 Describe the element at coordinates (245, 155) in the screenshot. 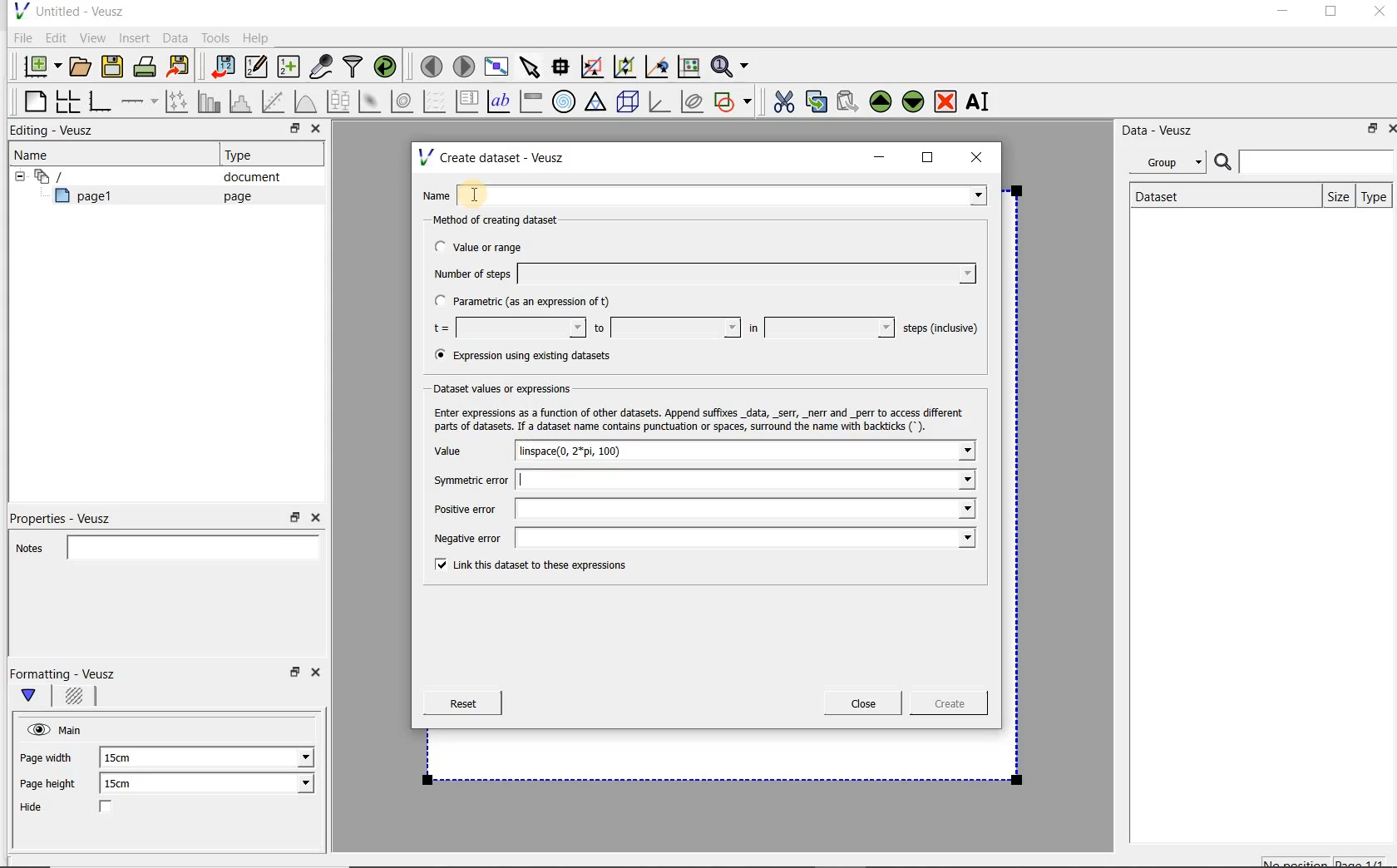

I see `Type` at that location.